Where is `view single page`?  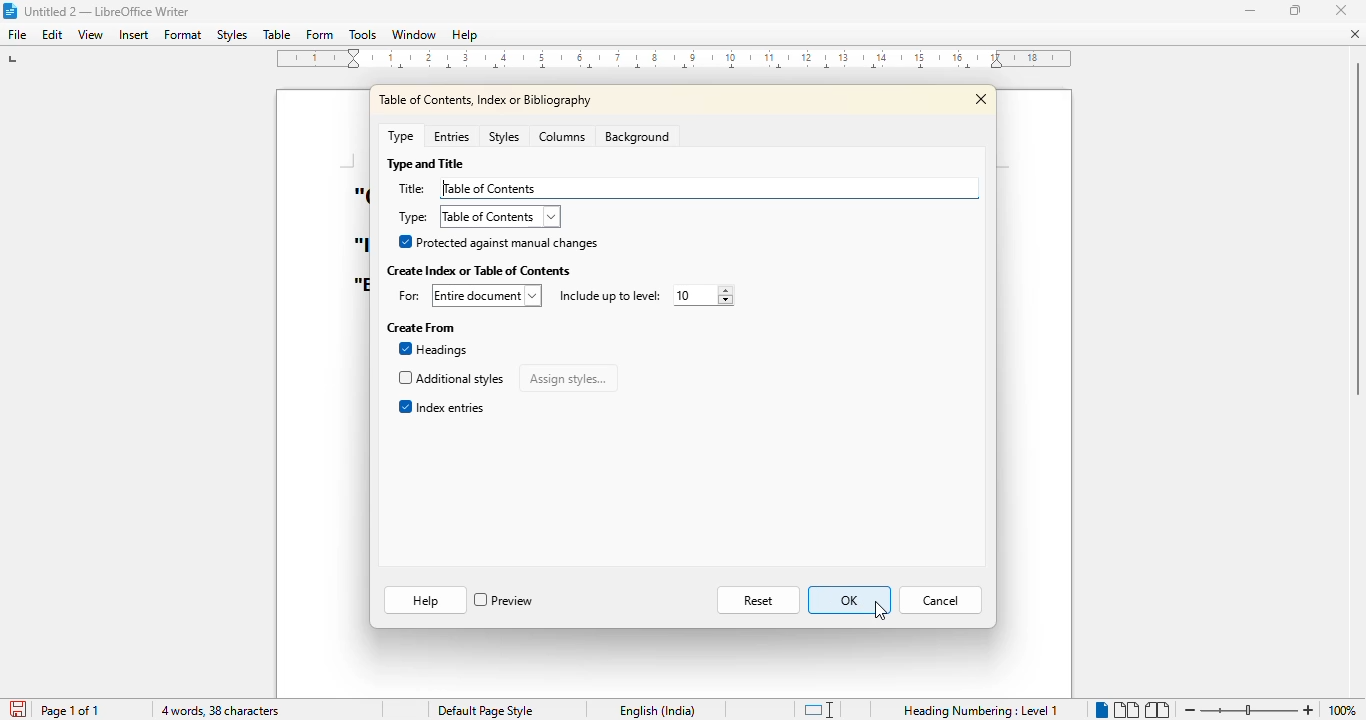
view single page is located at coordinates (1096, 707).